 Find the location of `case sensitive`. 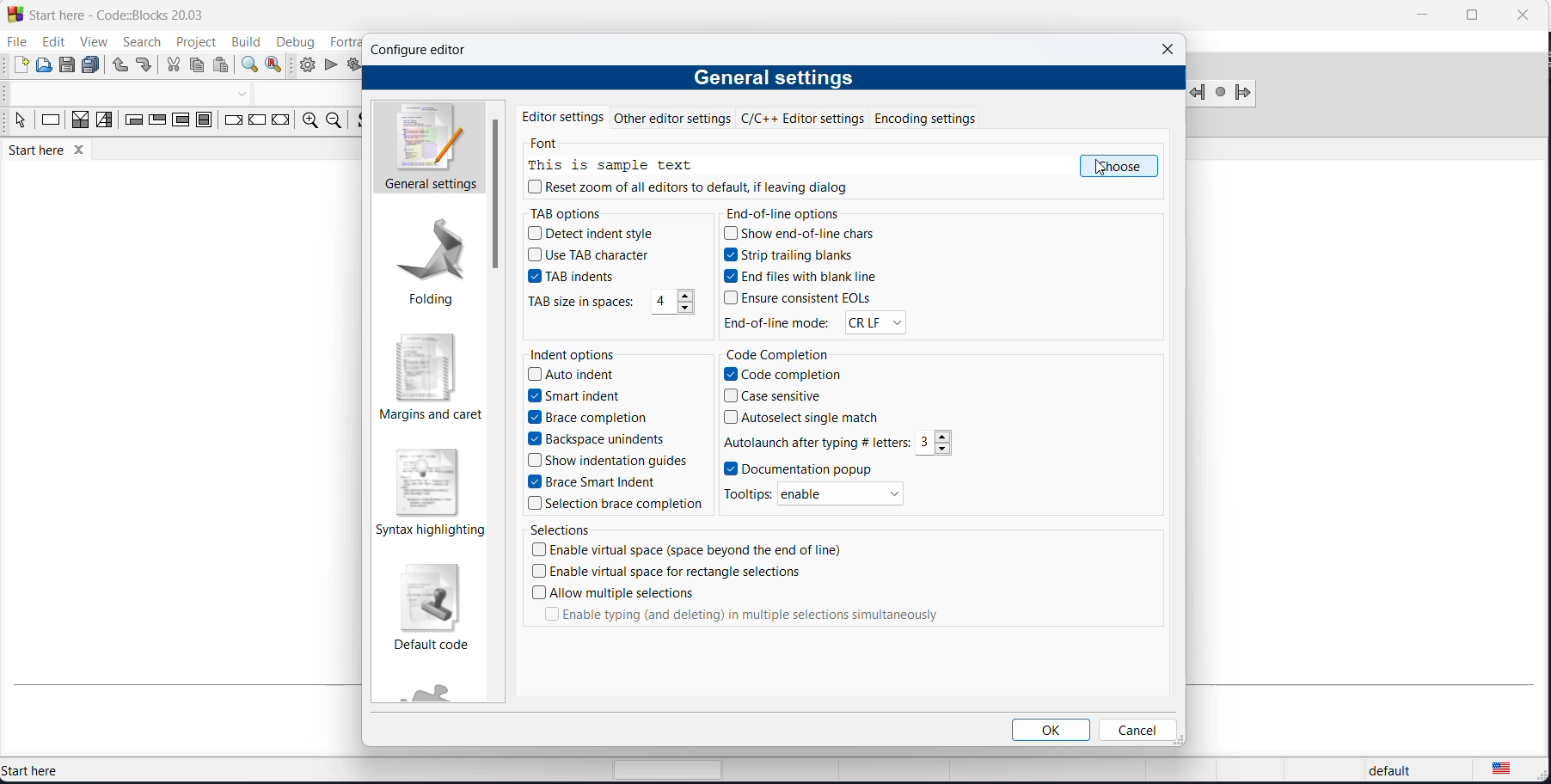

case sensitive is located at coordinates (774, 396).